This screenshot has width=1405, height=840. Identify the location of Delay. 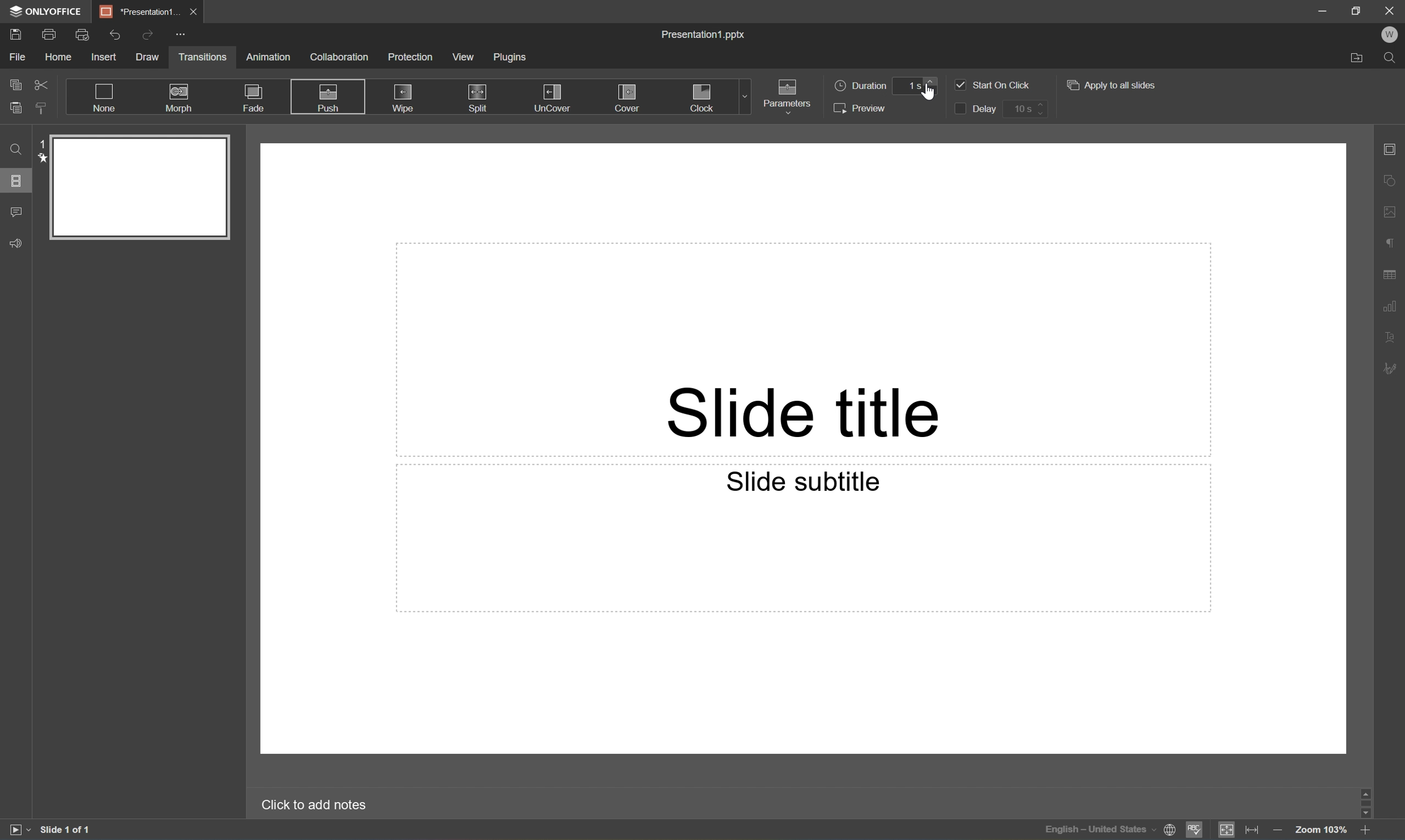
(973, 109).